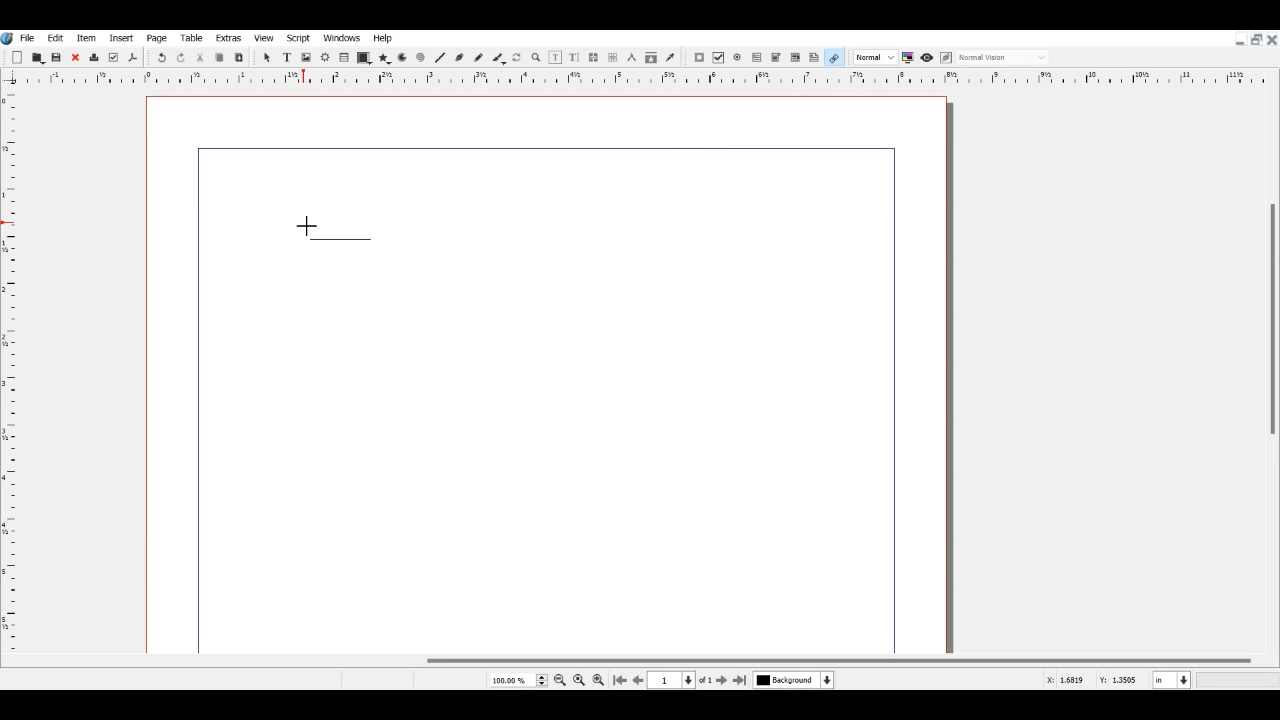  What do you see at coordinates (796, 681) in the screenshot?
I see `Select current Layer` at bounding box center [796, 681].